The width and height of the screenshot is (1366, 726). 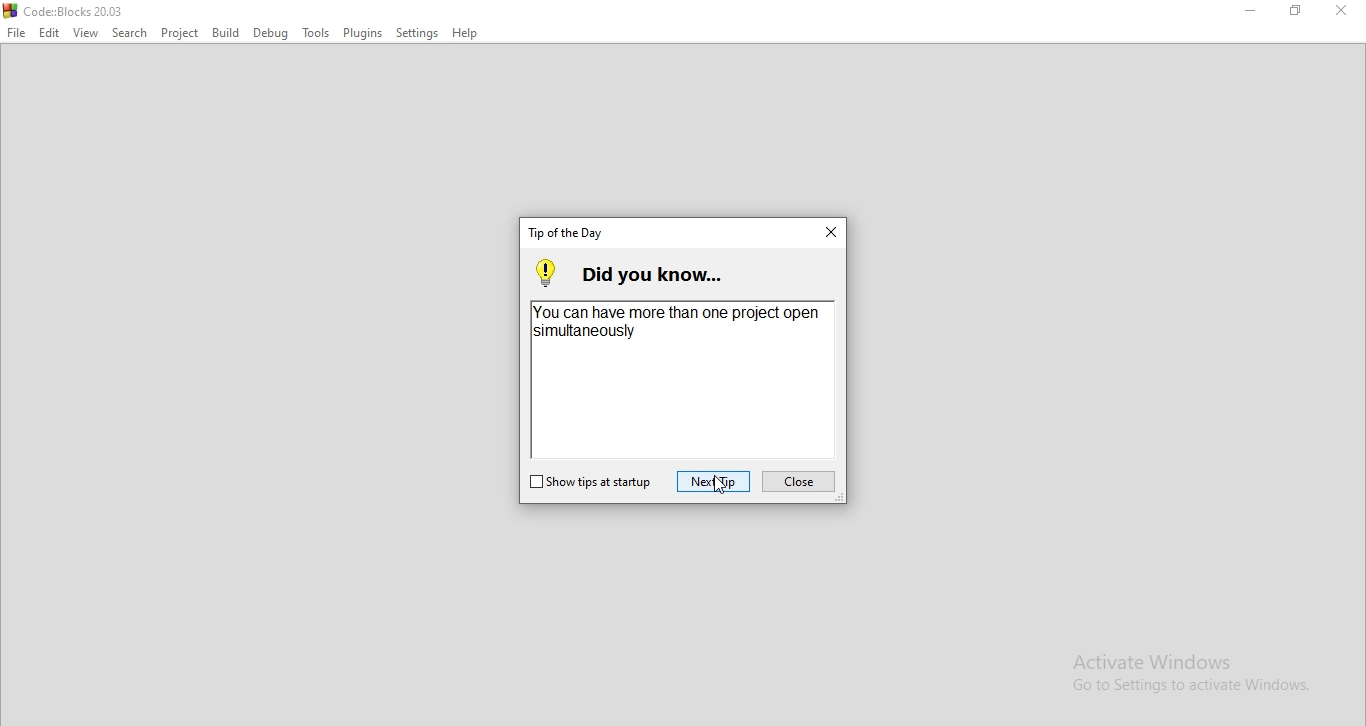 I want to click on did you know, so click(x=627, y=270).